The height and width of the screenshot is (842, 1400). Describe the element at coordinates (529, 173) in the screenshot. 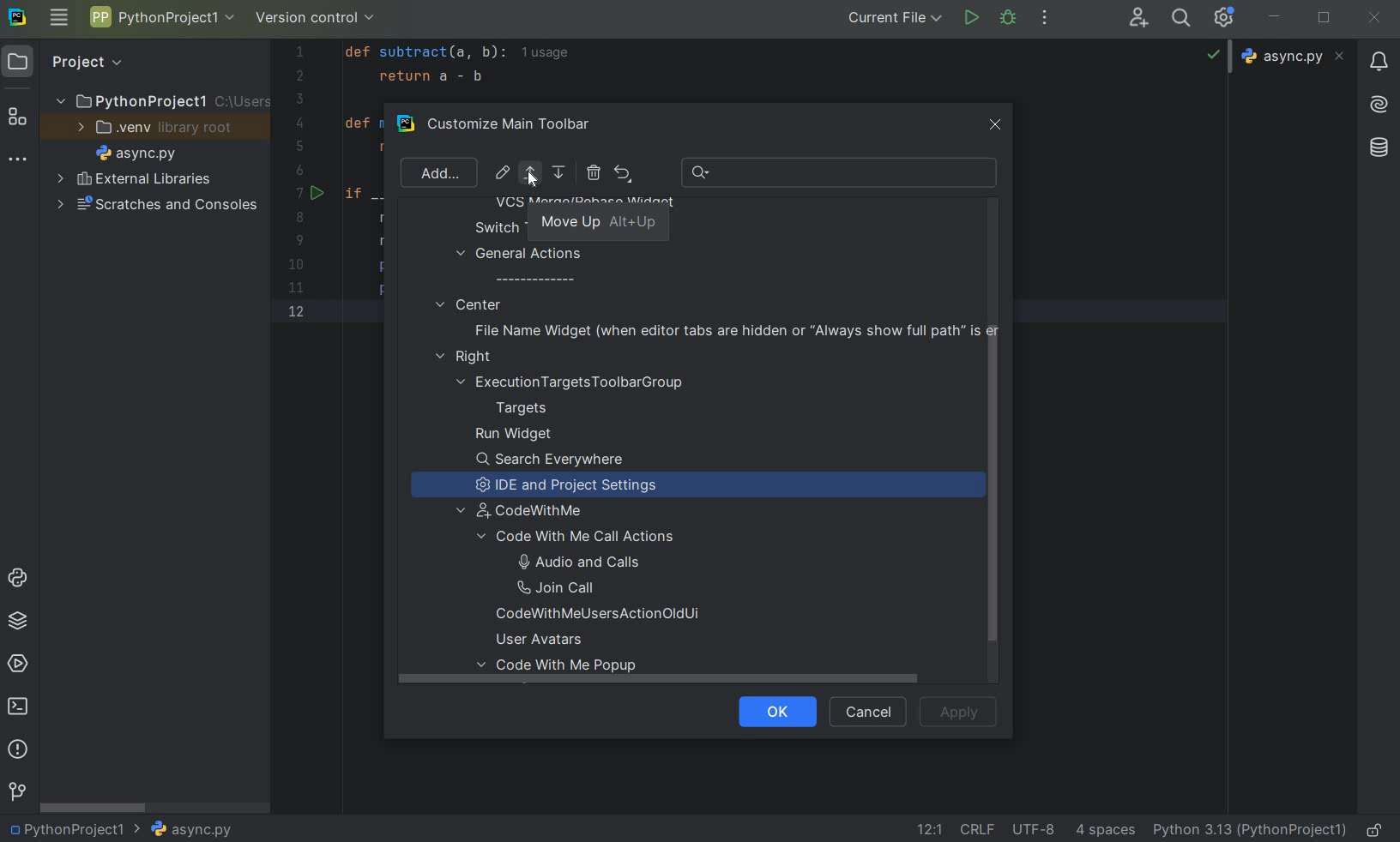

I see `MOVE UP` at that location.